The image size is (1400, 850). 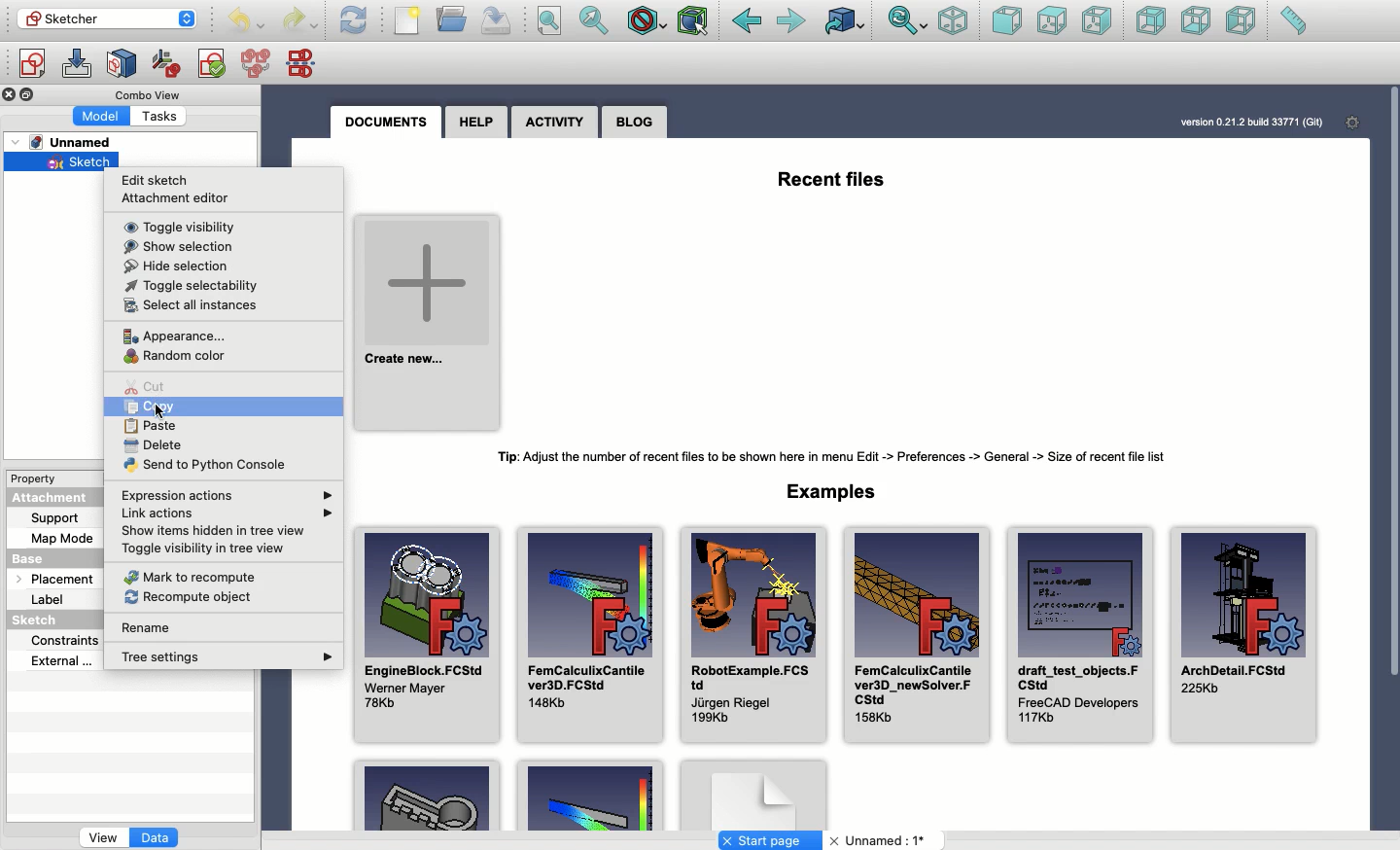 What do you see at coordinates (30, 95) in the screenshot?
I see `Duplicate` at bounding box center [30, 95].